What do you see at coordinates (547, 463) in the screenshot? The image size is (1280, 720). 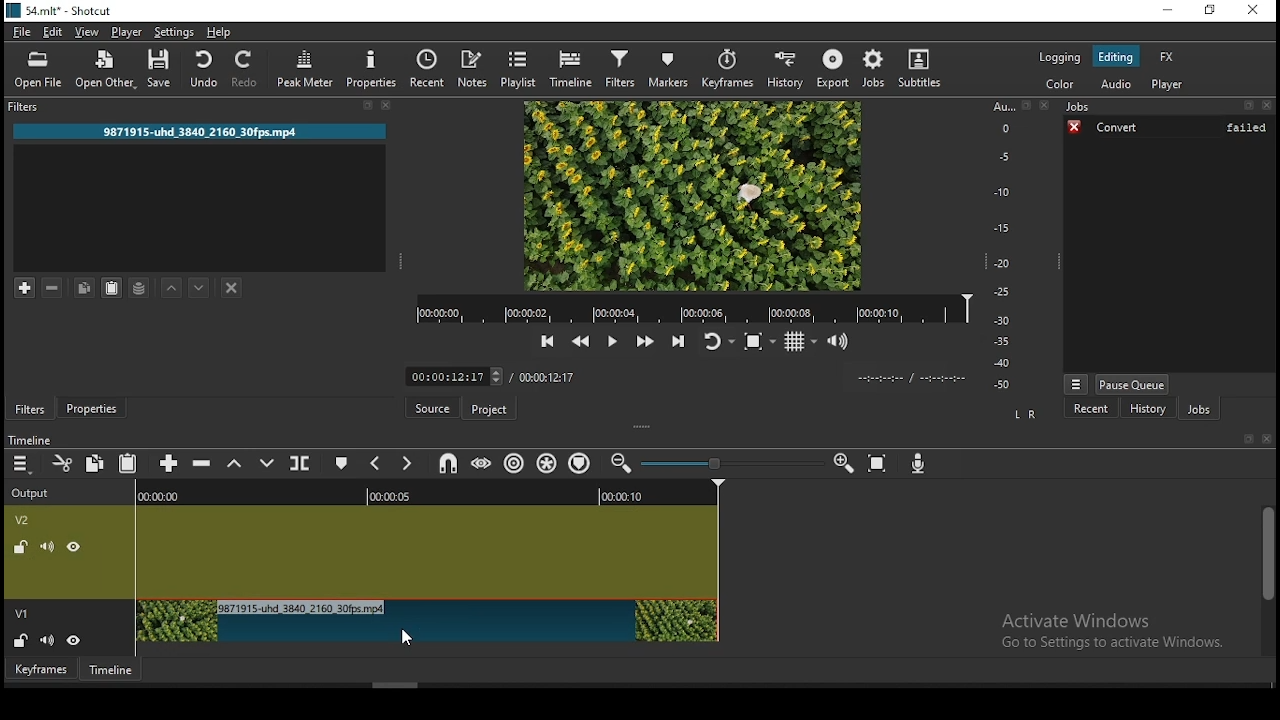 I see `ripple all tracks` at bounding box center [547, 463].